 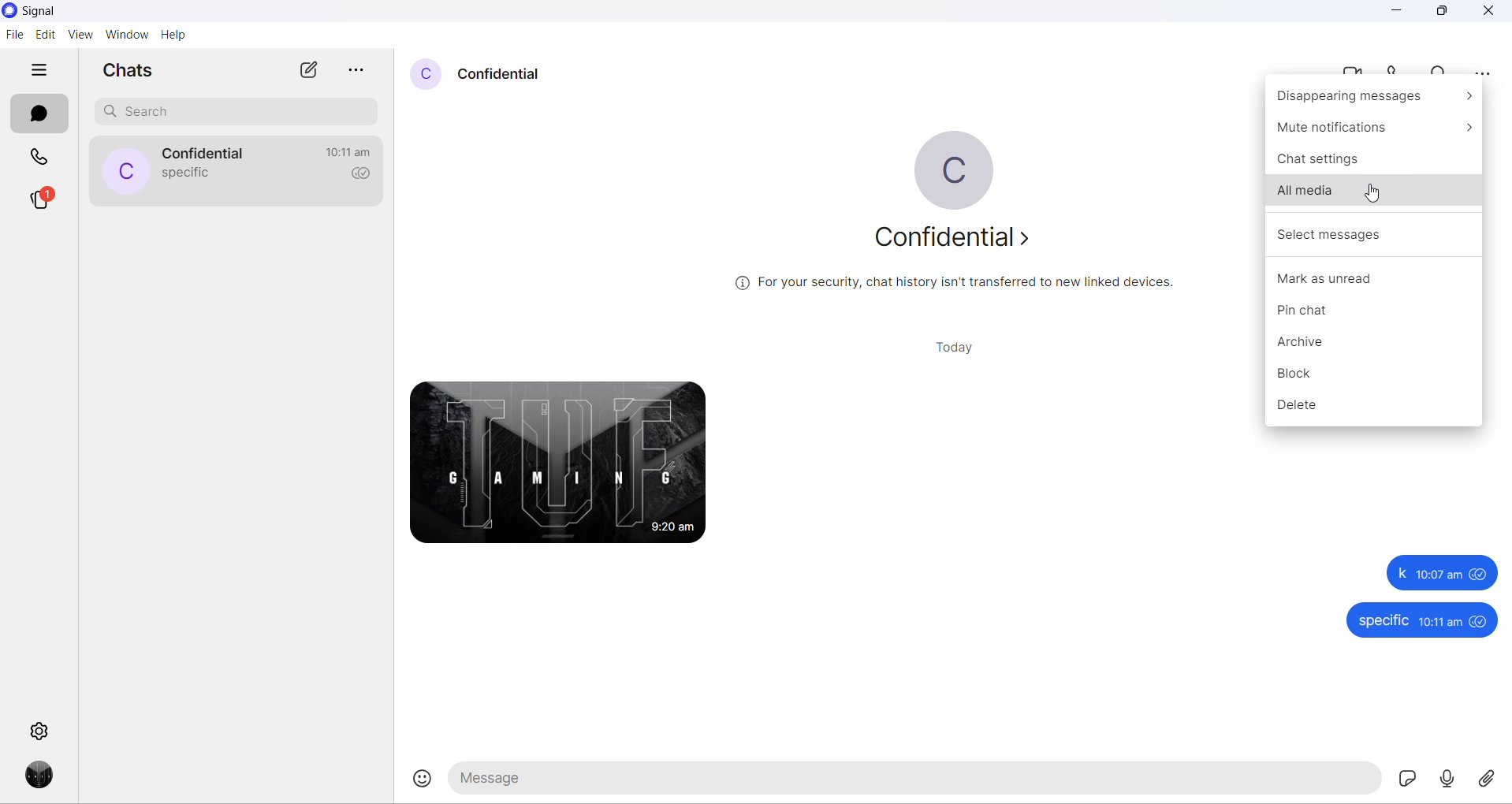 What do you see at coordinates (1369, 408) in the screenshot?
I see `delete` at bounding box center [1369, 408].